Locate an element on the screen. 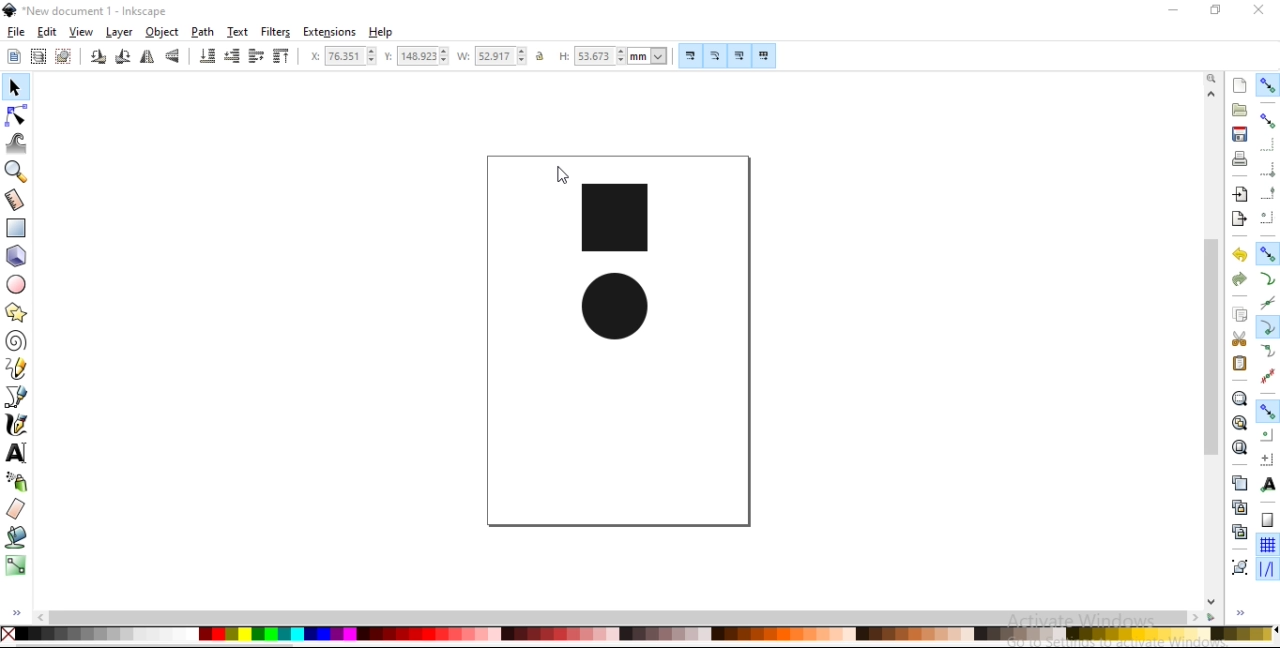 This screenshot has width=1280, height=648. fill bounded areas is located at coordinates (17, 538).